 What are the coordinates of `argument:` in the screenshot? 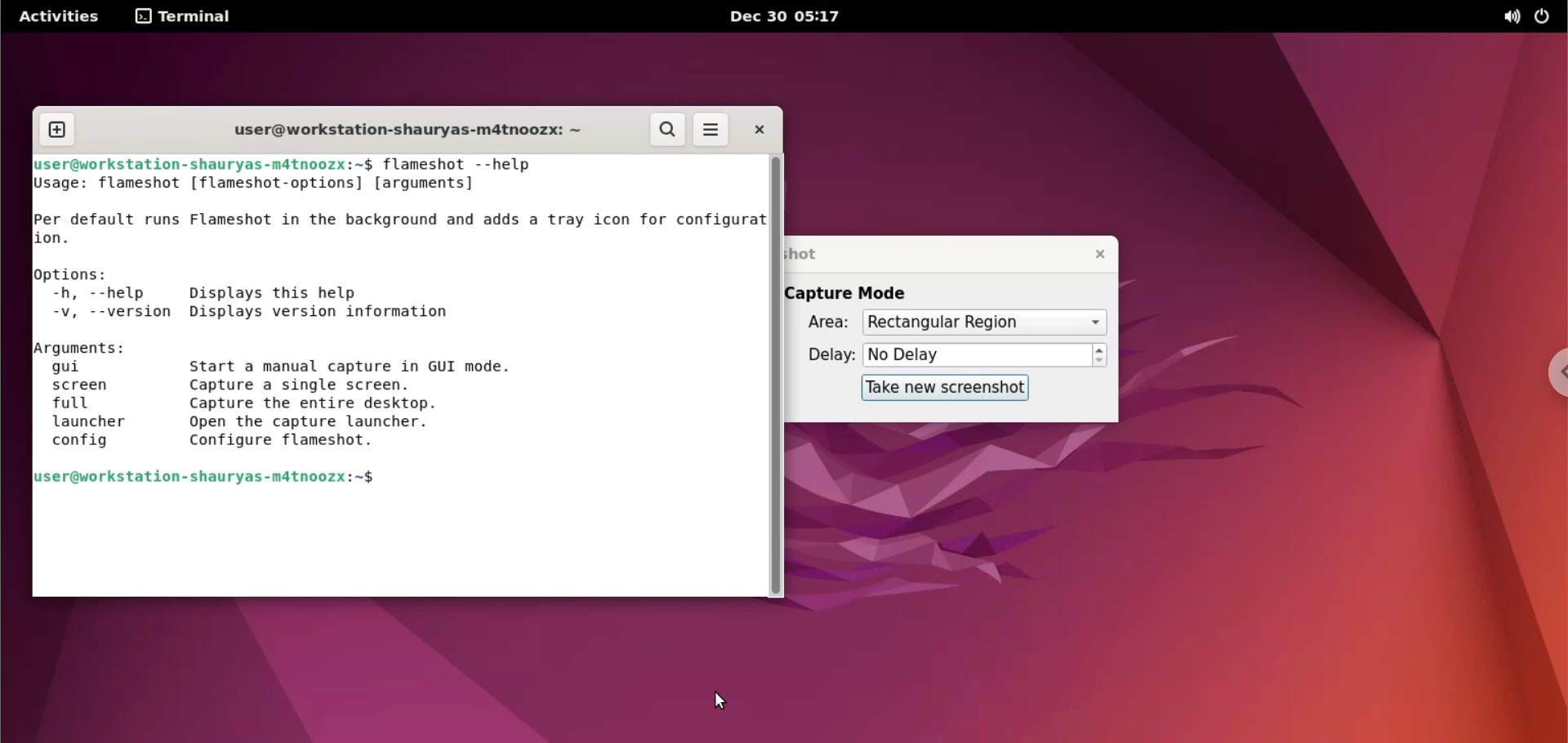 It's located at (87, 348).